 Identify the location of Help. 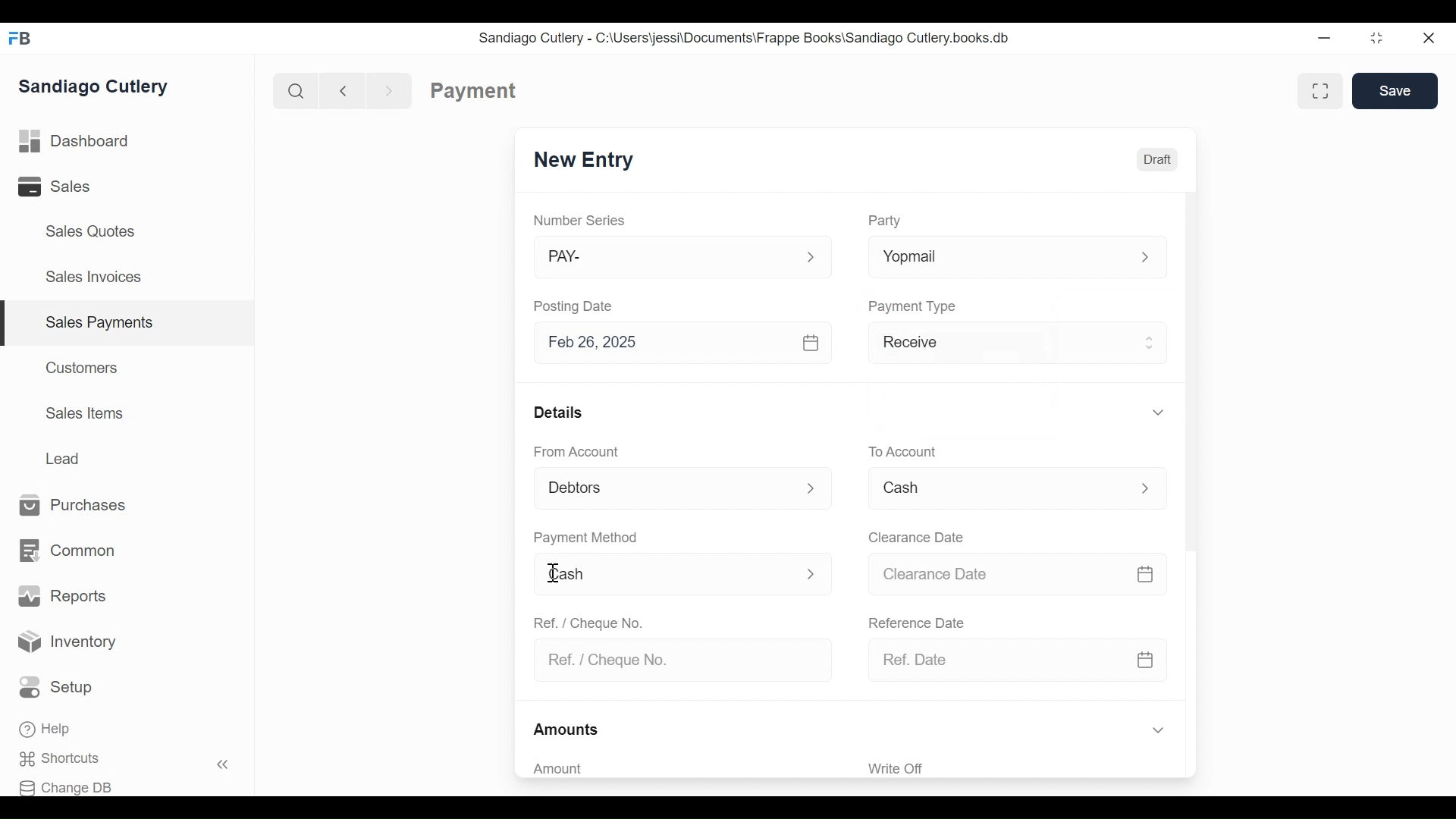
(47, 730).